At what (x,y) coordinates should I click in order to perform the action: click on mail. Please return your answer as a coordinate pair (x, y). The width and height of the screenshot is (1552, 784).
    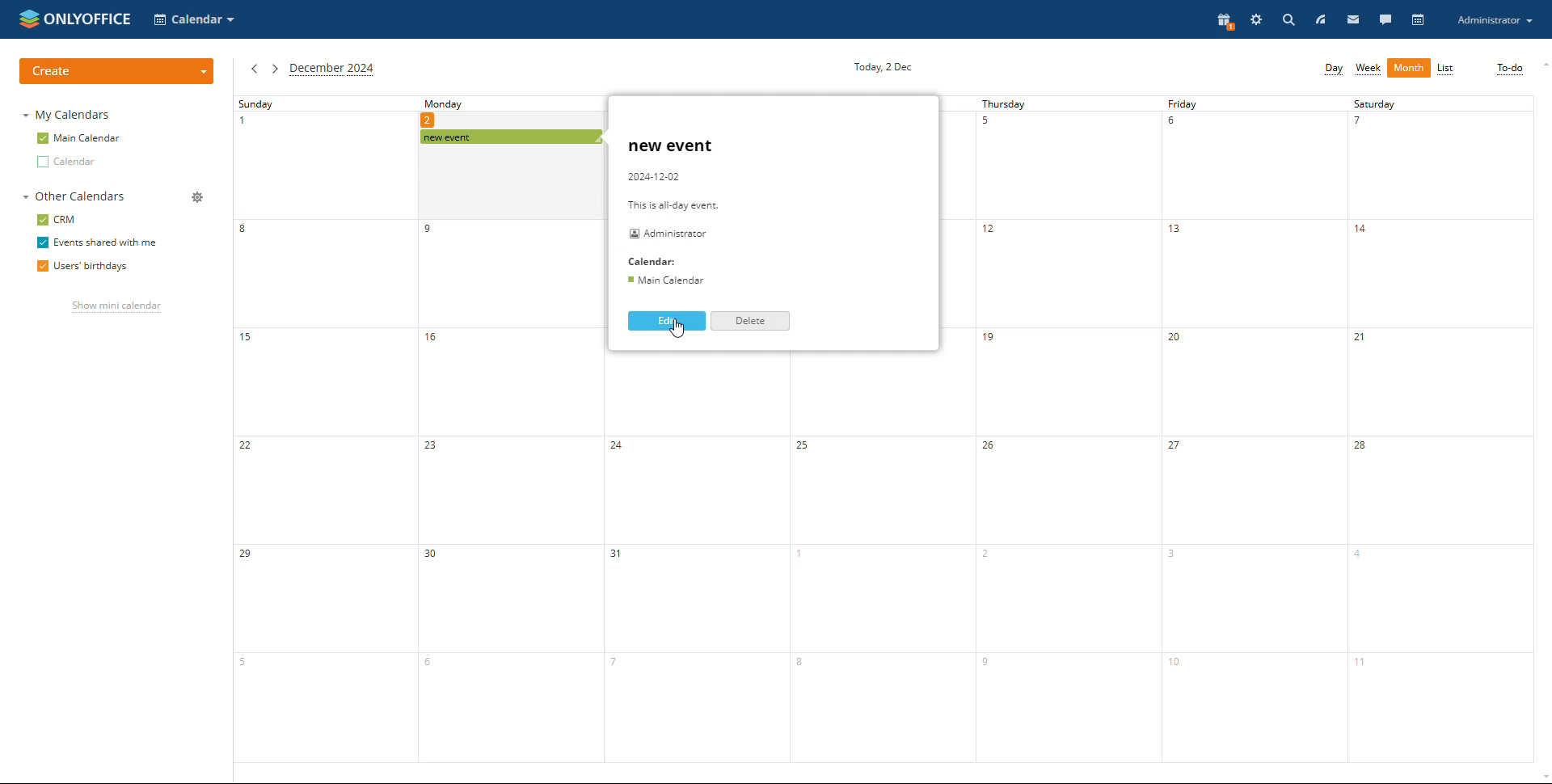
    Looking at the image, I should click on (1352, 20).